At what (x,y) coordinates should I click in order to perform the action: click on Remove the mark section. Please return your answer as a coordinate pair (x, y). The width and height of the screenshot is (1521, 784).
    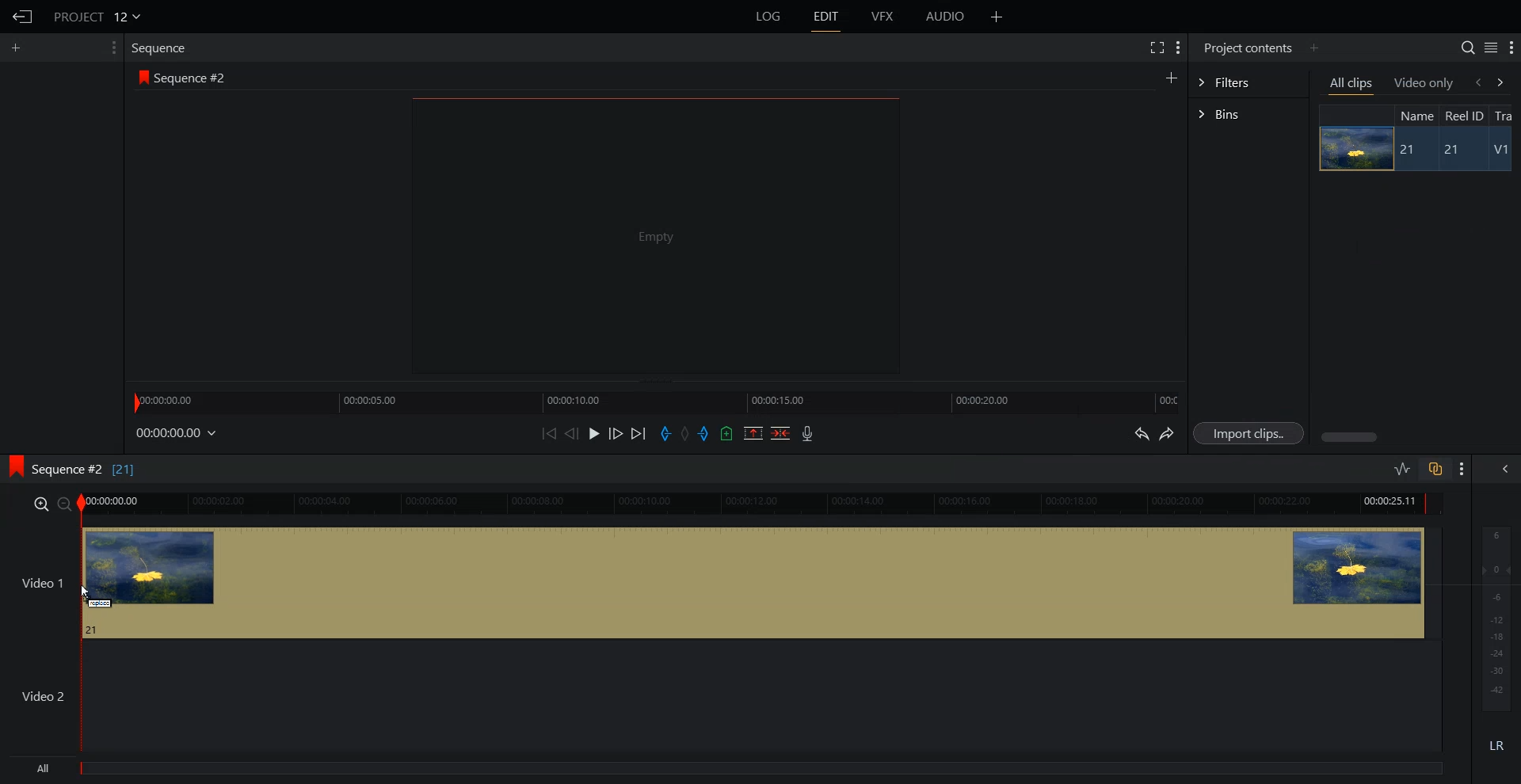
    Looking at the image, I should click on (753, 433).